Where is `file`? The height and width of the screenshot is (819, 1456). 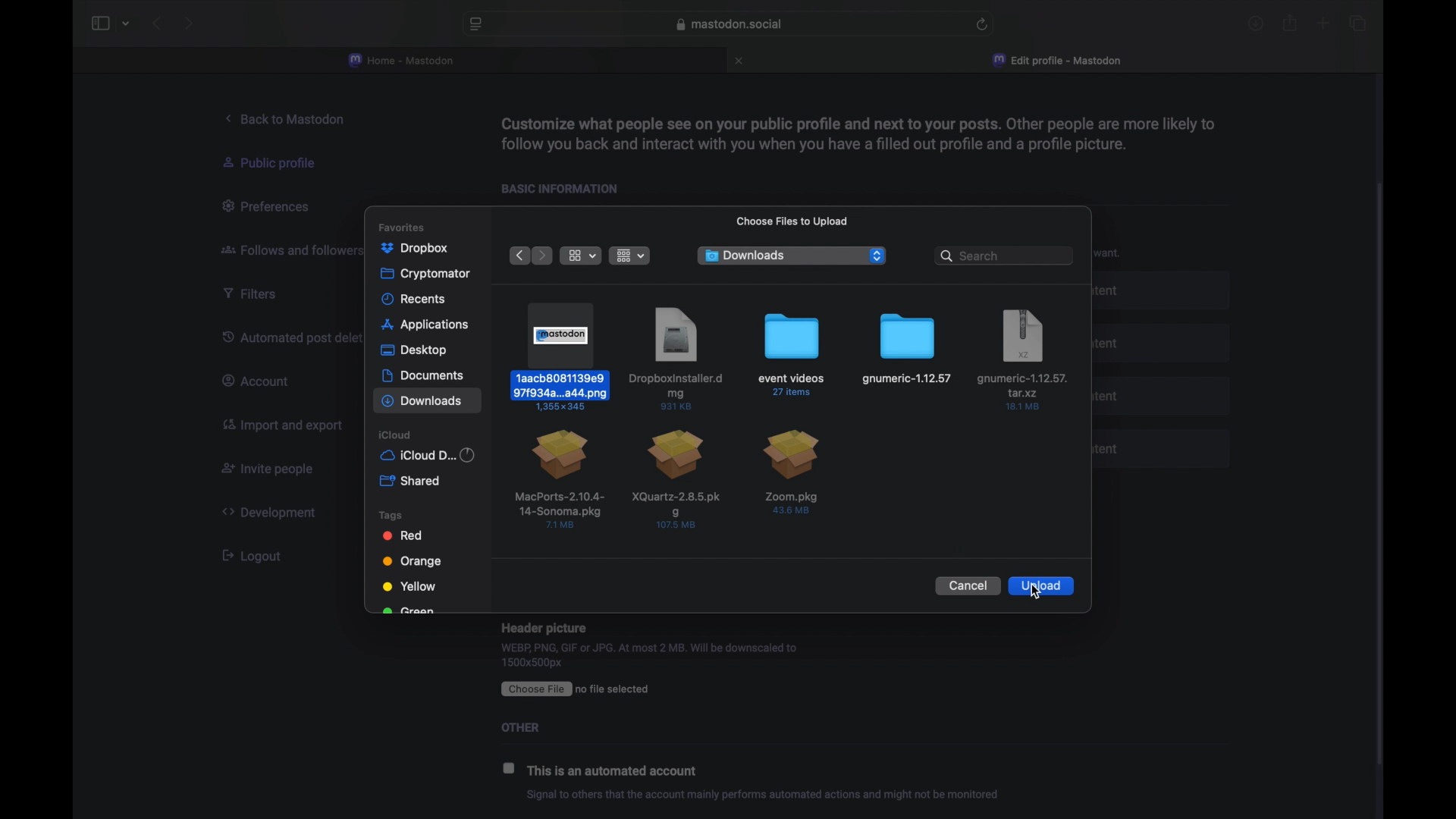
file is located at coordinates (560, 479).